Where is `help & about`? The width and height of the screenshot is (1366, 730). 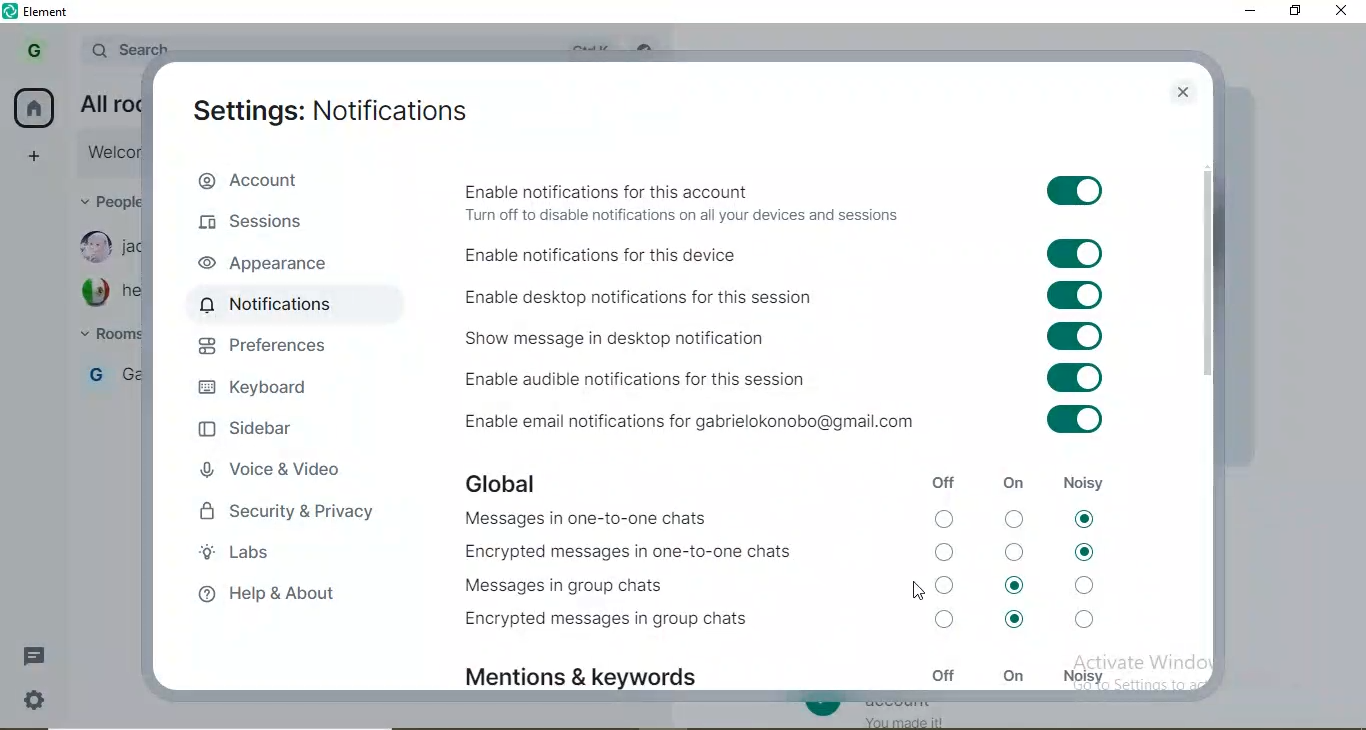
help & about is located at coordinates (282, 595).